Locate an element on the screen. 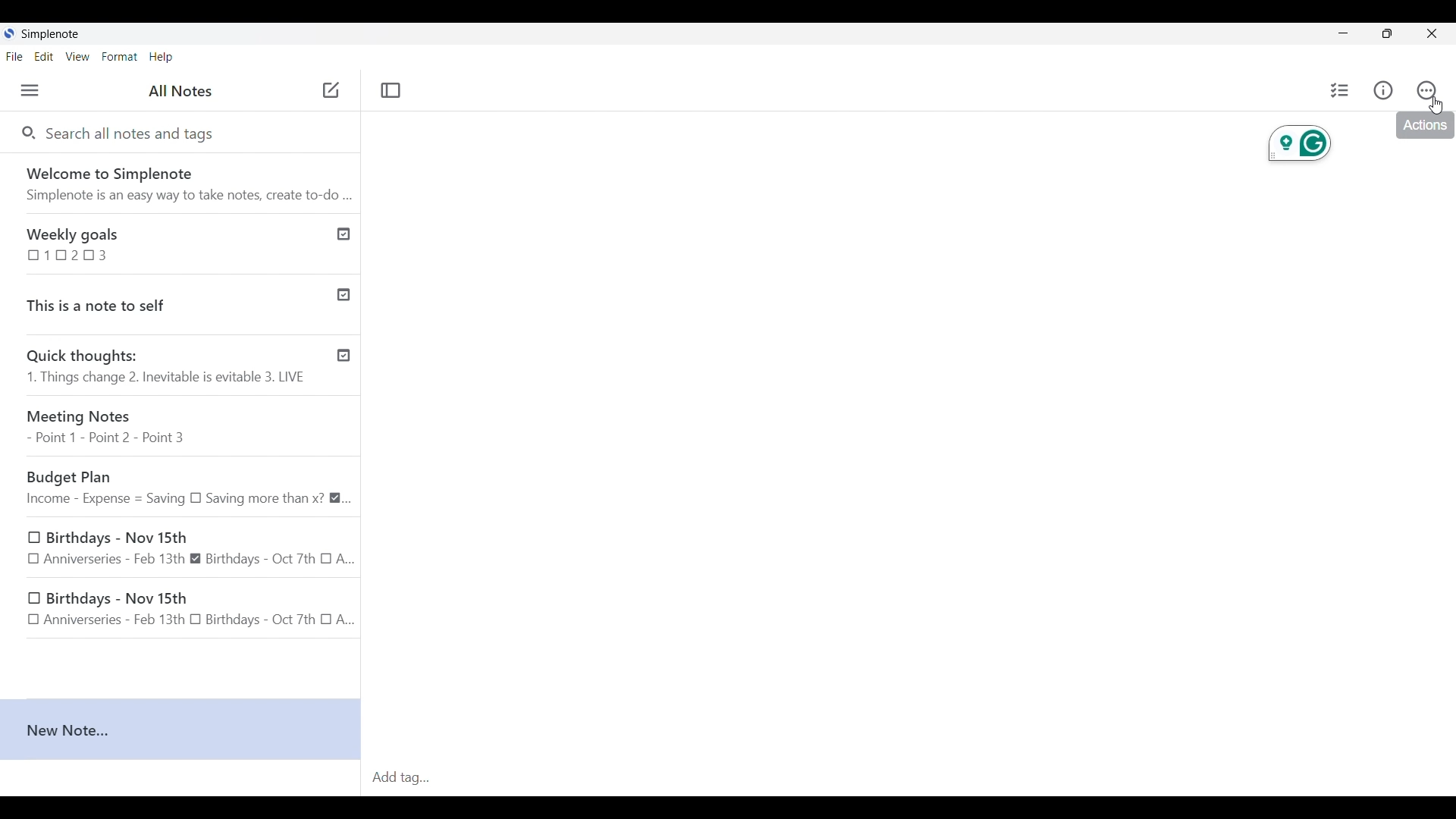 The width and height of the screenshot is (1456, 819). Insert checklist is located at coordinates (1341, 90).